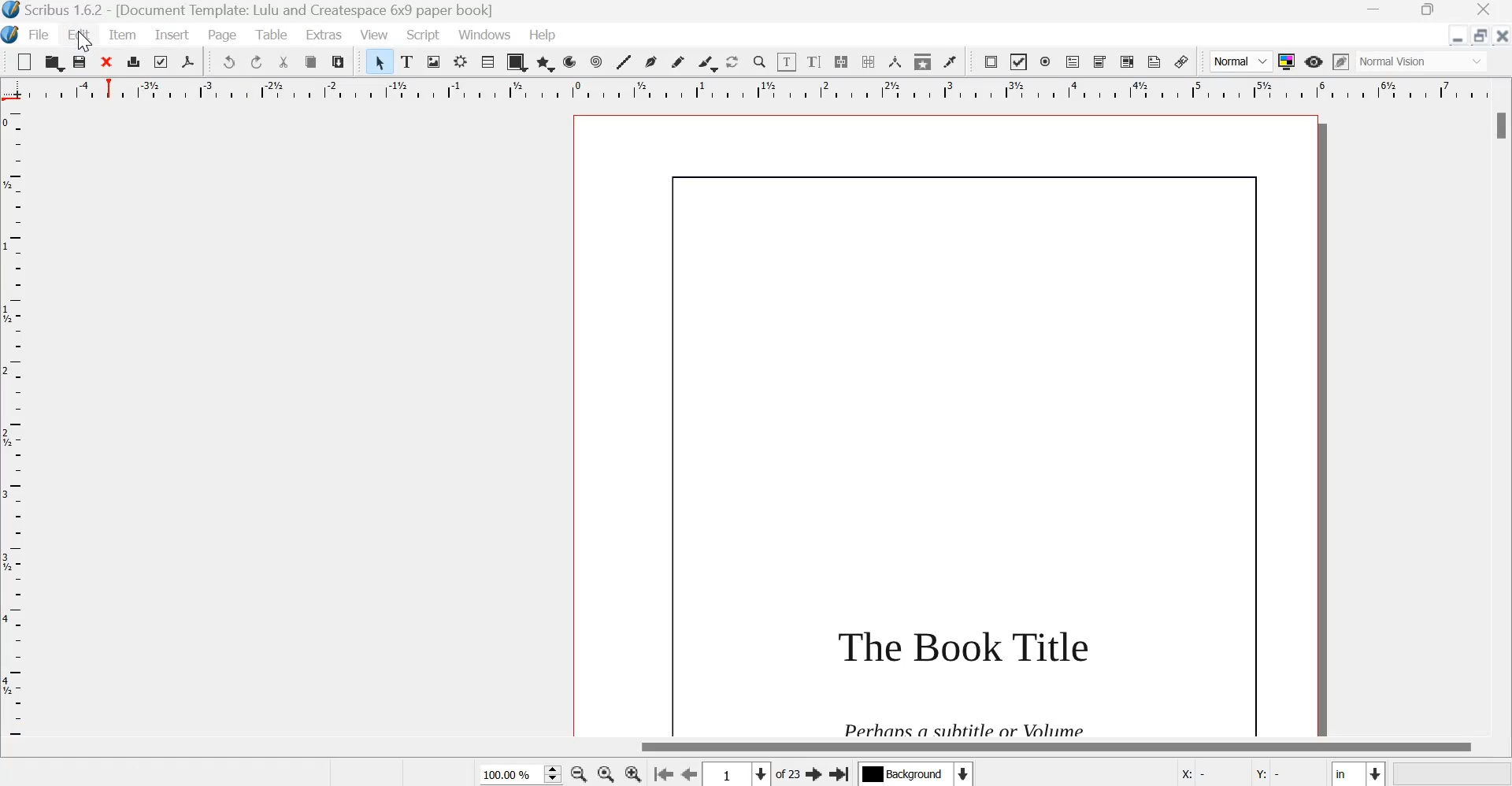  Describe the element at coordinates (624, 61) in the screenshot. I see `Line` at that location.